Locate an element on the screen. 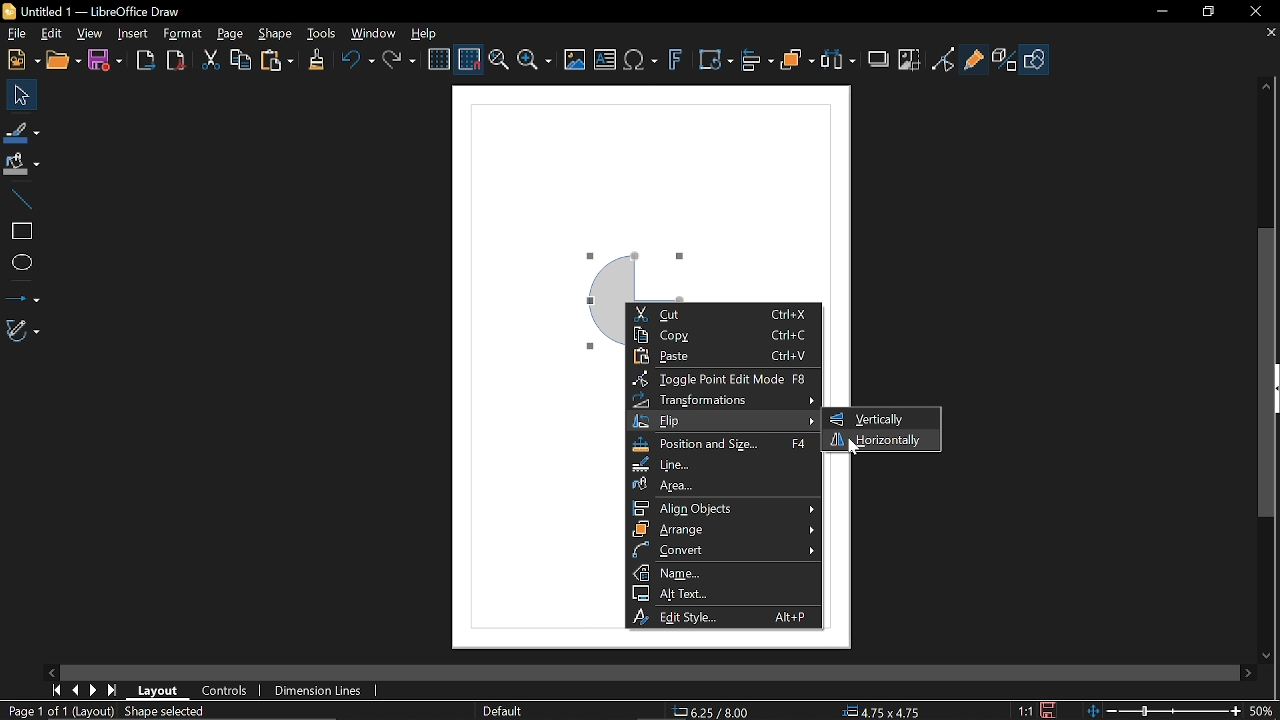 This screenshot has width=1280, height=720. Align is located at coordinates (724, 508).